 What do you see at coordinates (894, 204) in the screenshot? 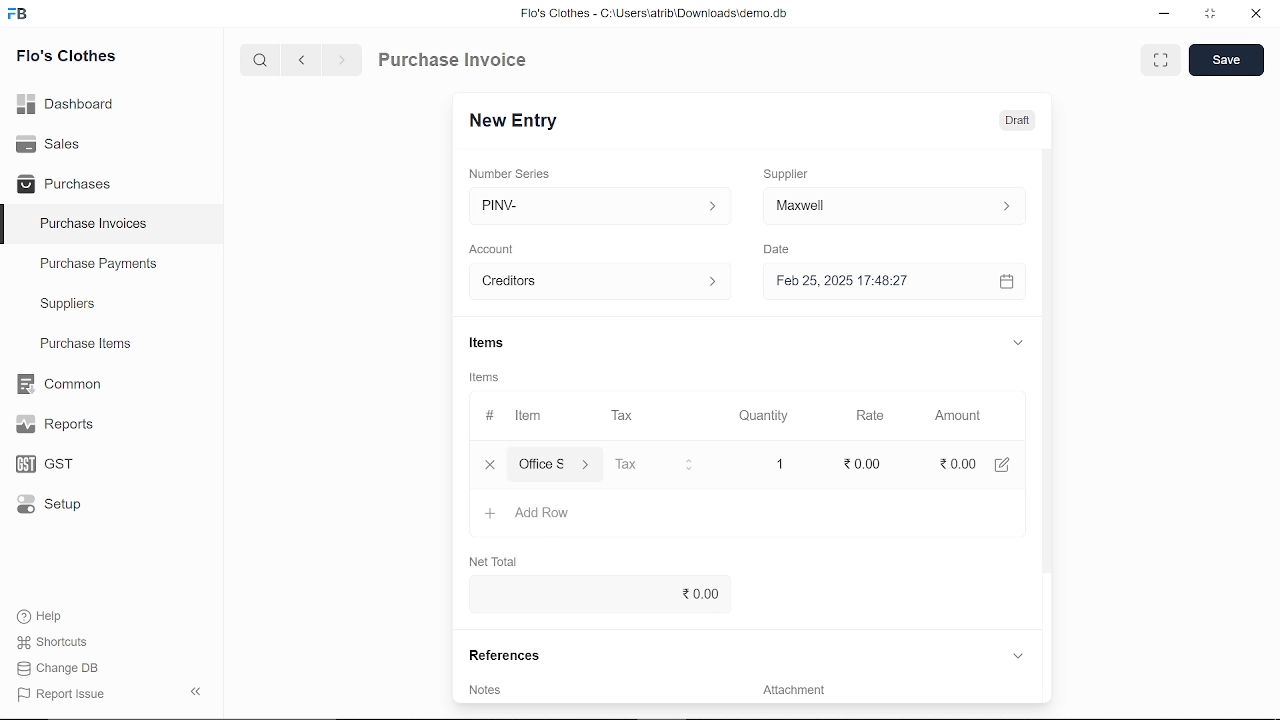
I see `input ‘Supplier` at bounding box center [894, 204].